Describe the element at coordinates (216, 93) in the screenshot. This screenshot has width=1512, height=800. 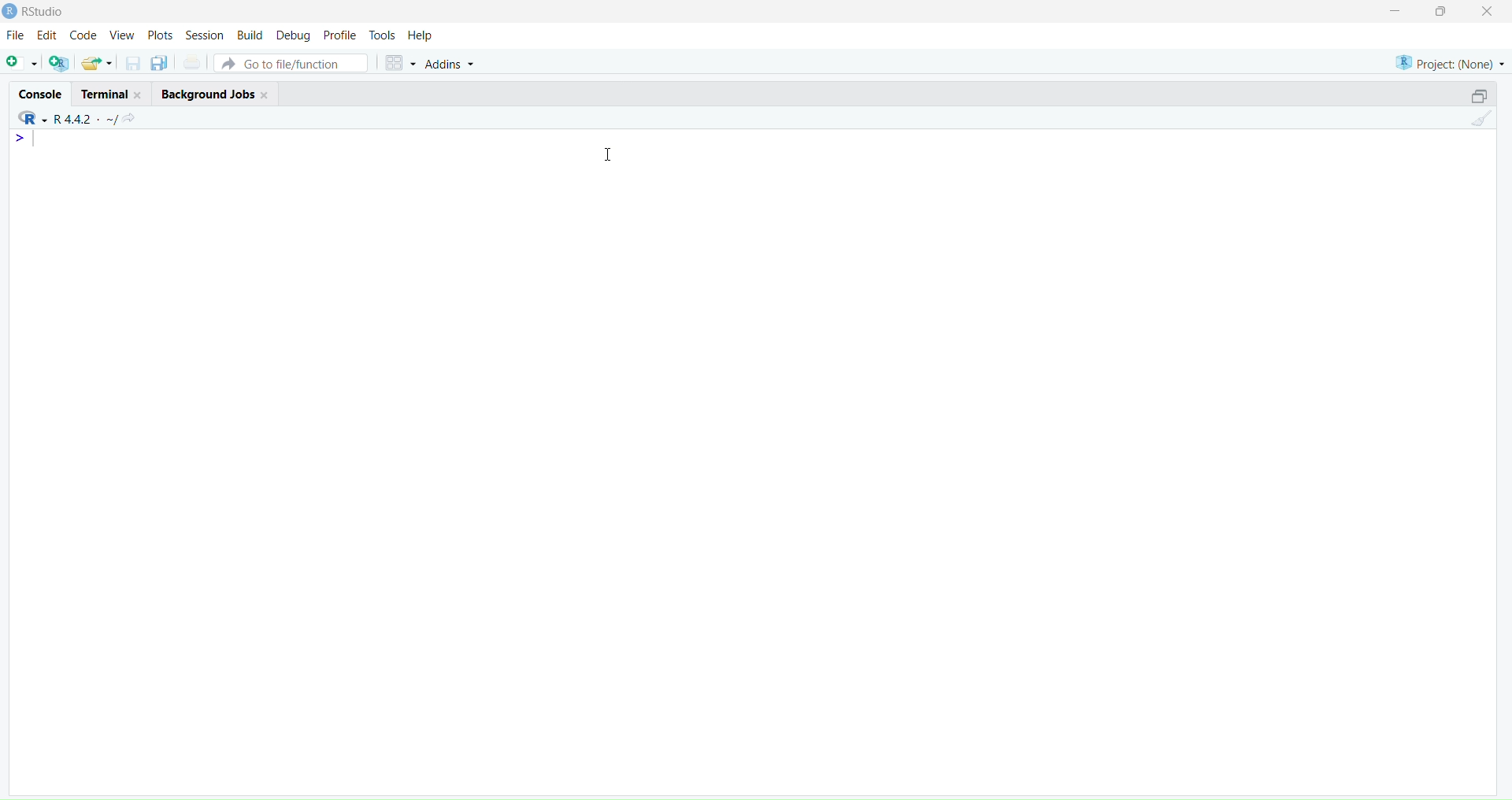
I see `Background Jobs` at that location.